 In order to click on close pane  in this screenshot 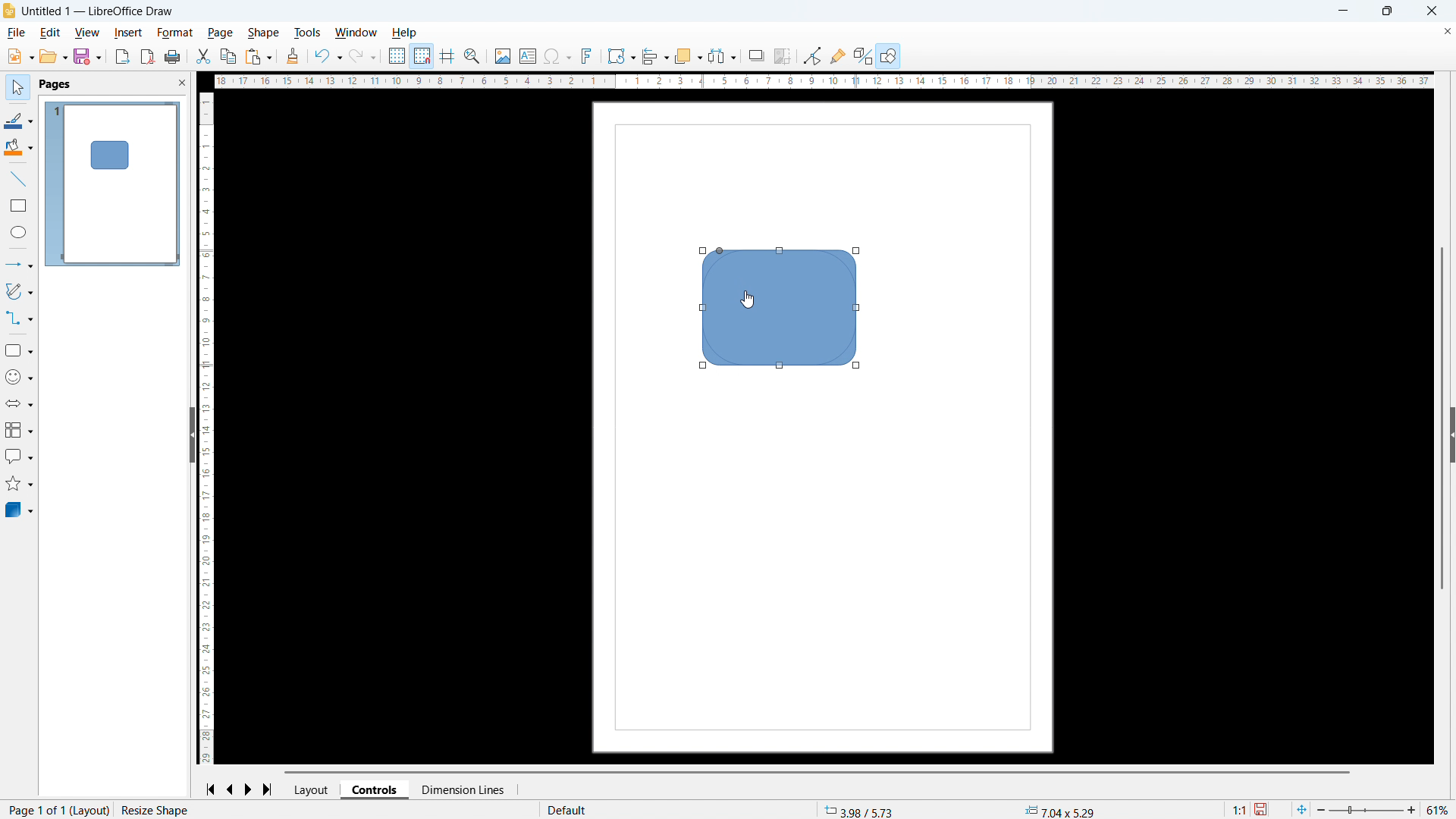, I will do `click(182, 83)`.